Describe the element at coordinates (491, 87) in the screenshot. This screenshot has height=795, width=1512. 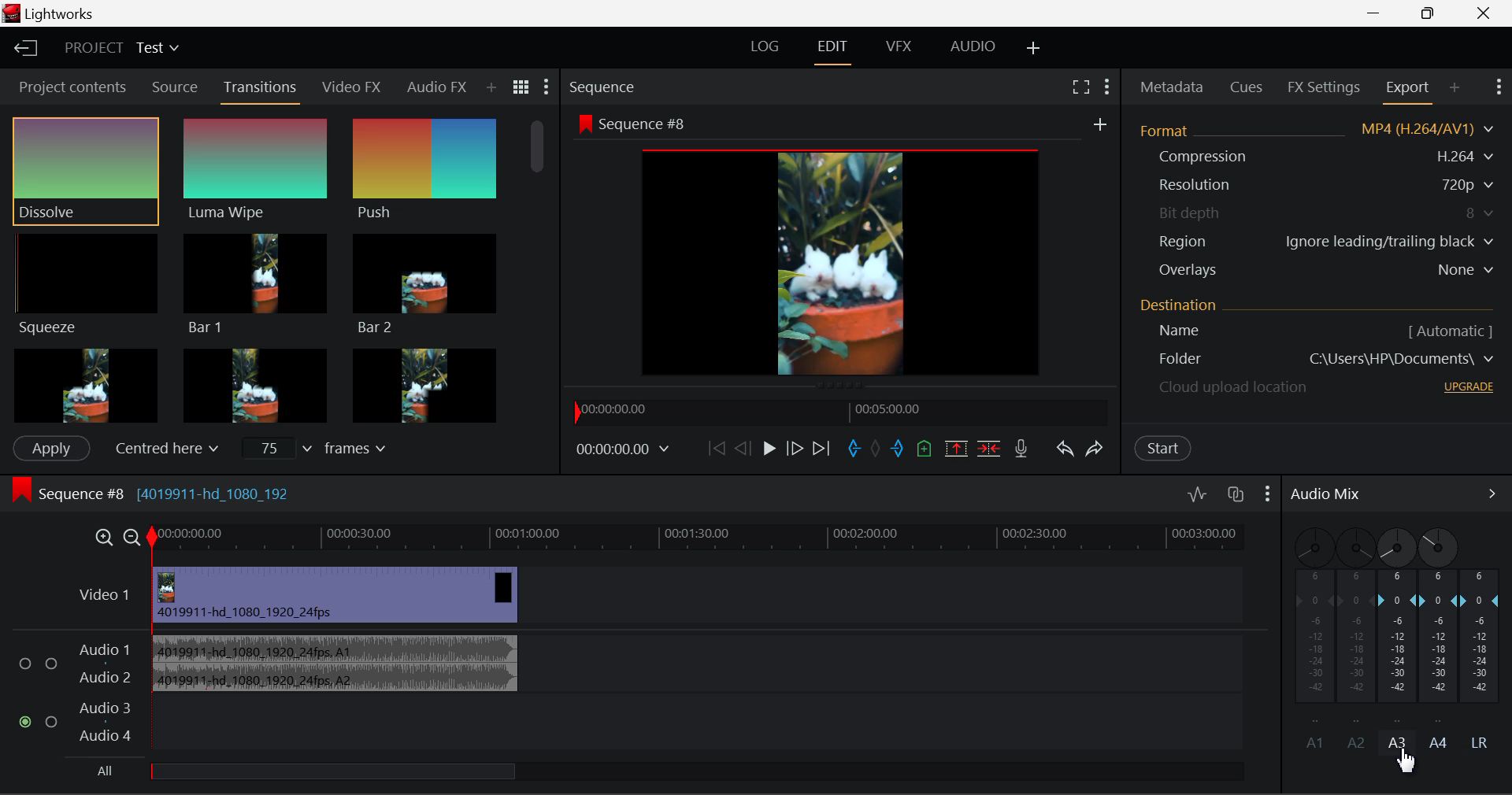
I see `Add Panel` at that location.